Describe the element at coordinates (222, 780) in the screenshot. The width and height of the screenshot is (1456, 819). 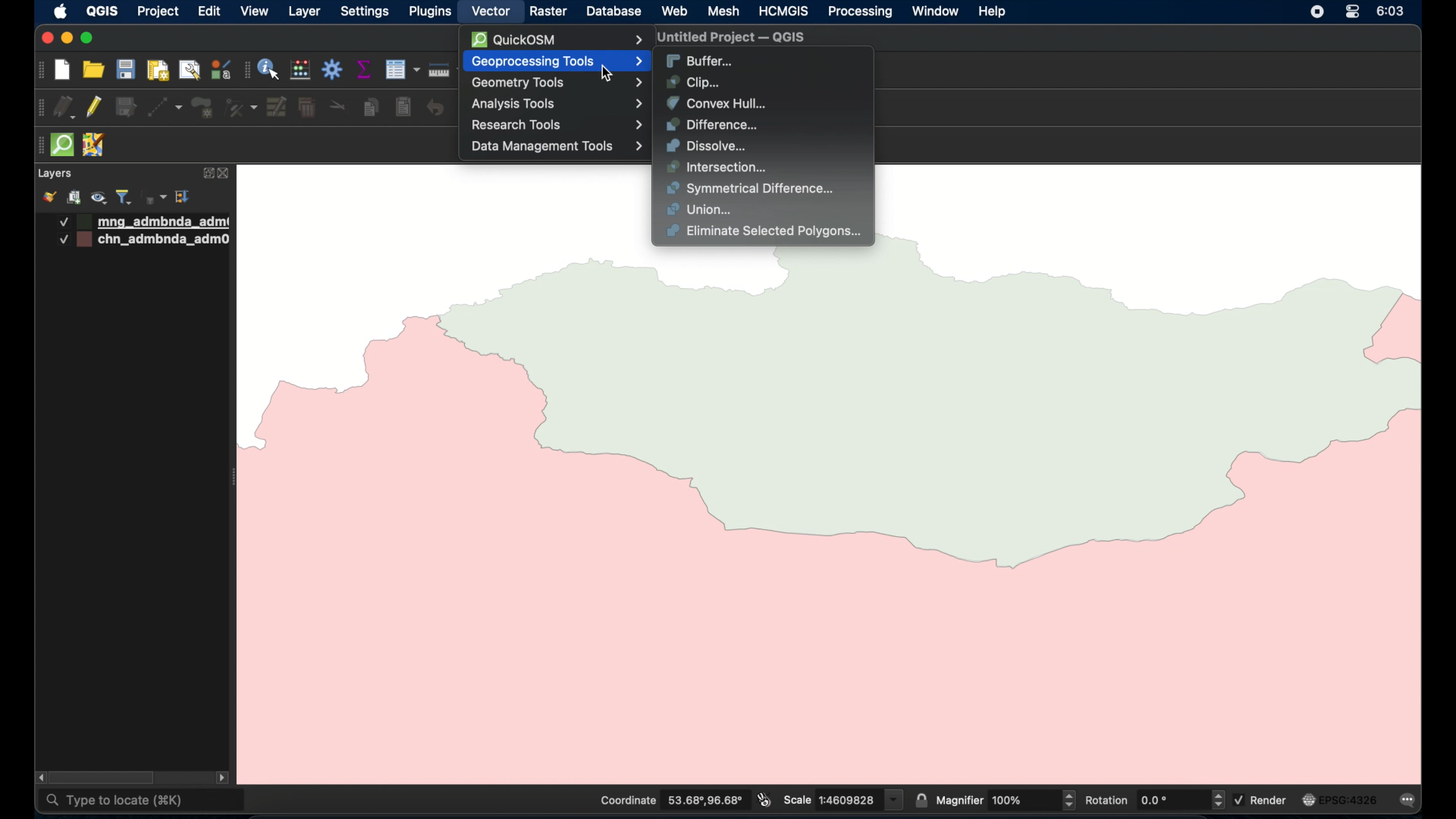
I see `scroll right` at that location.